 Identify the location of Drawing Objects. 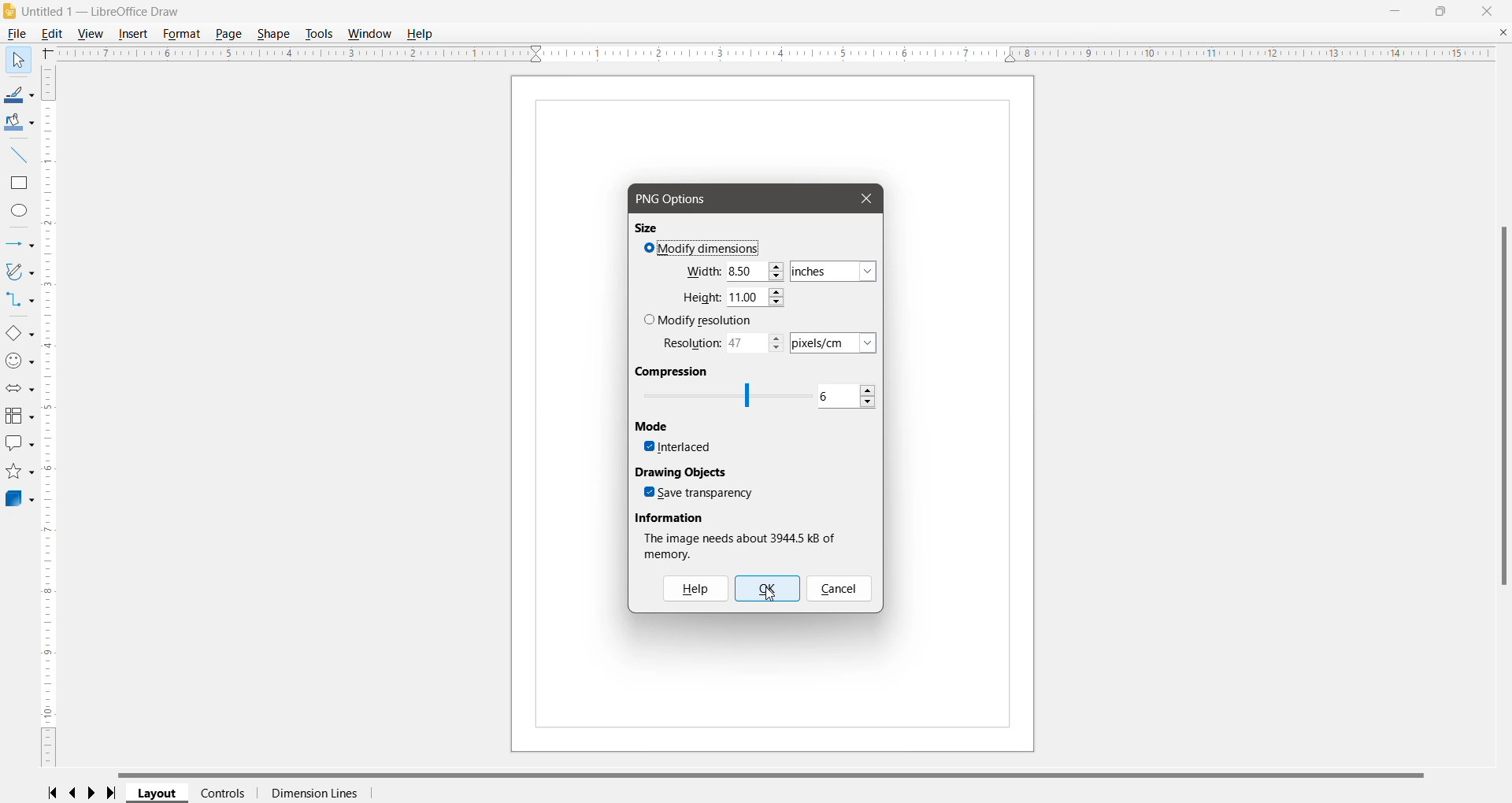
(684, 472).